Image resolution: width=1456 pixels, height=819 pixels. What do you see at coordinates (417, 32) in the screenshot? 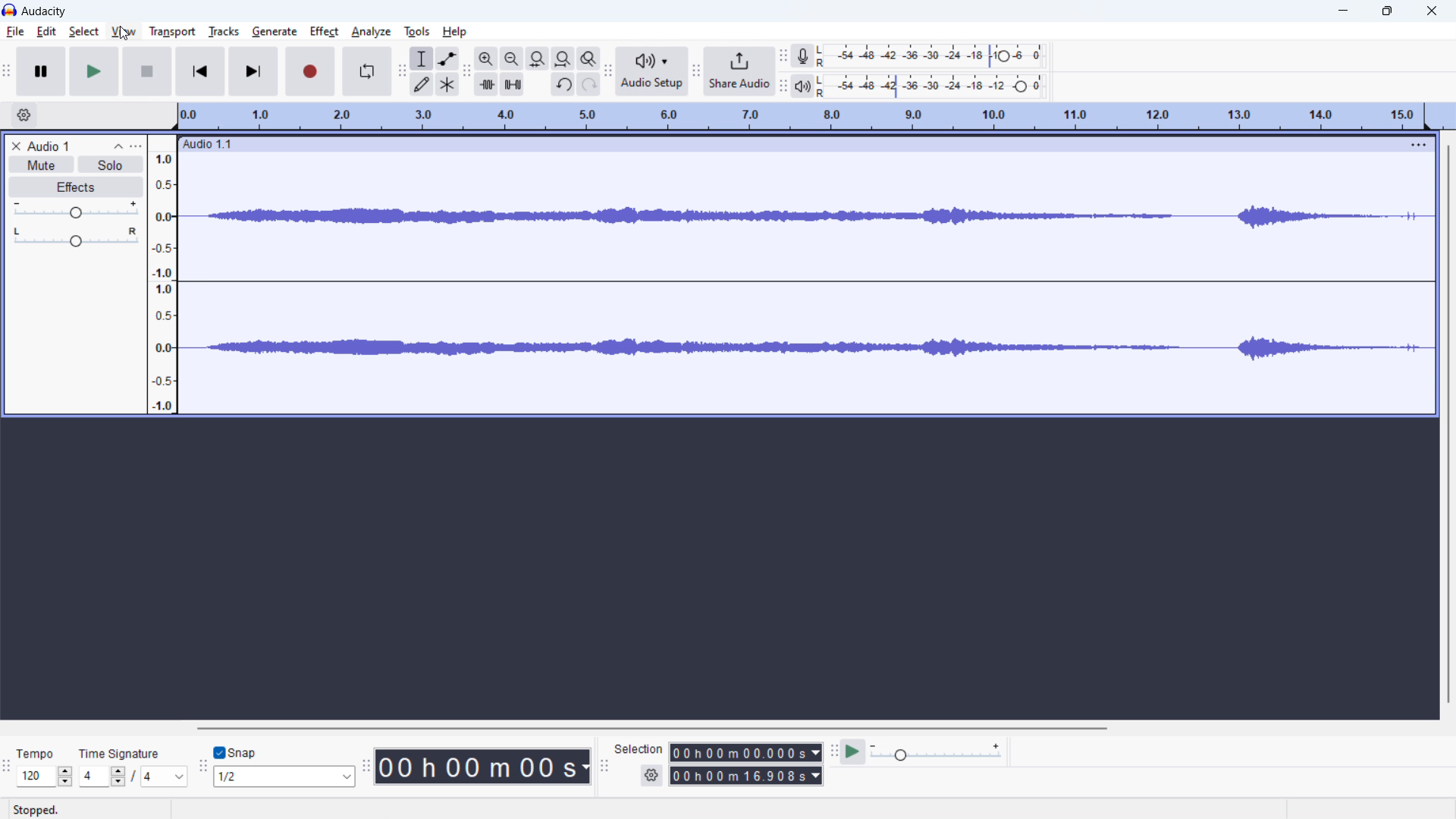
I see `tools` at bounding box center [417, 32].